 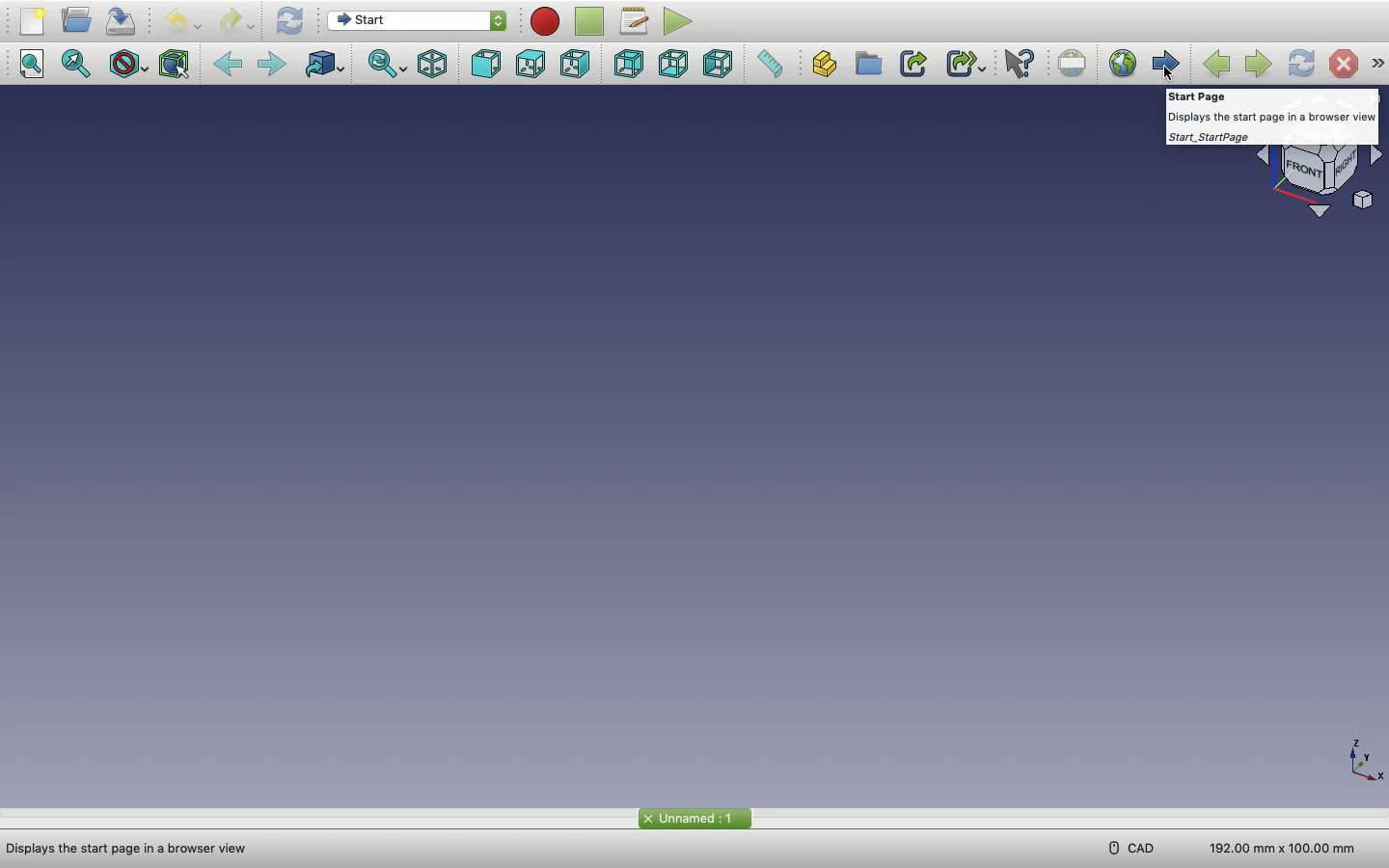 I want to click on Guide text, so click(x=1273, y=116).